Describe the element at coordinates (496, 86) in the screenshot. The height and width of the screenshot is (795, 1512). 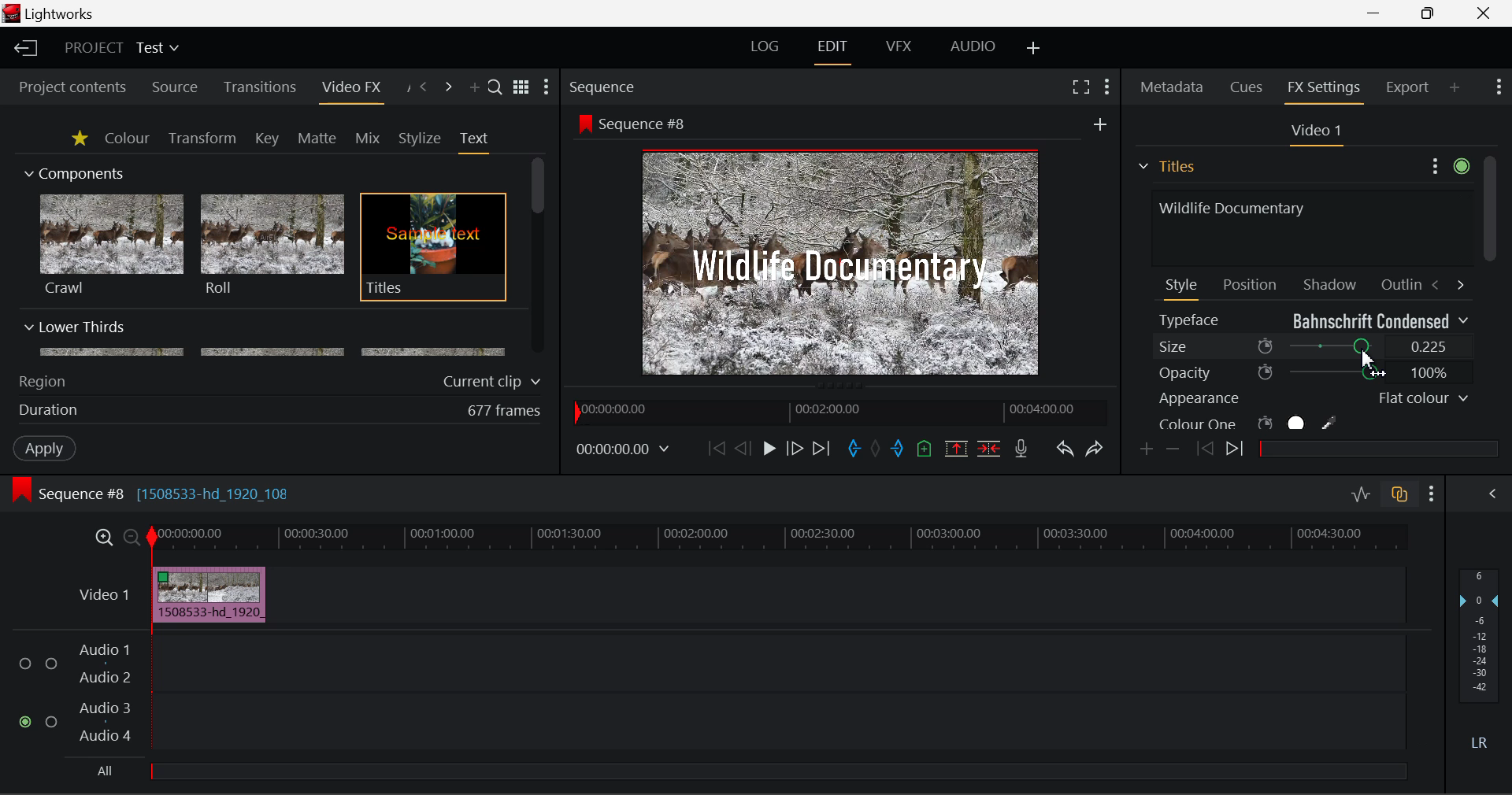
I see `Search` at that location.